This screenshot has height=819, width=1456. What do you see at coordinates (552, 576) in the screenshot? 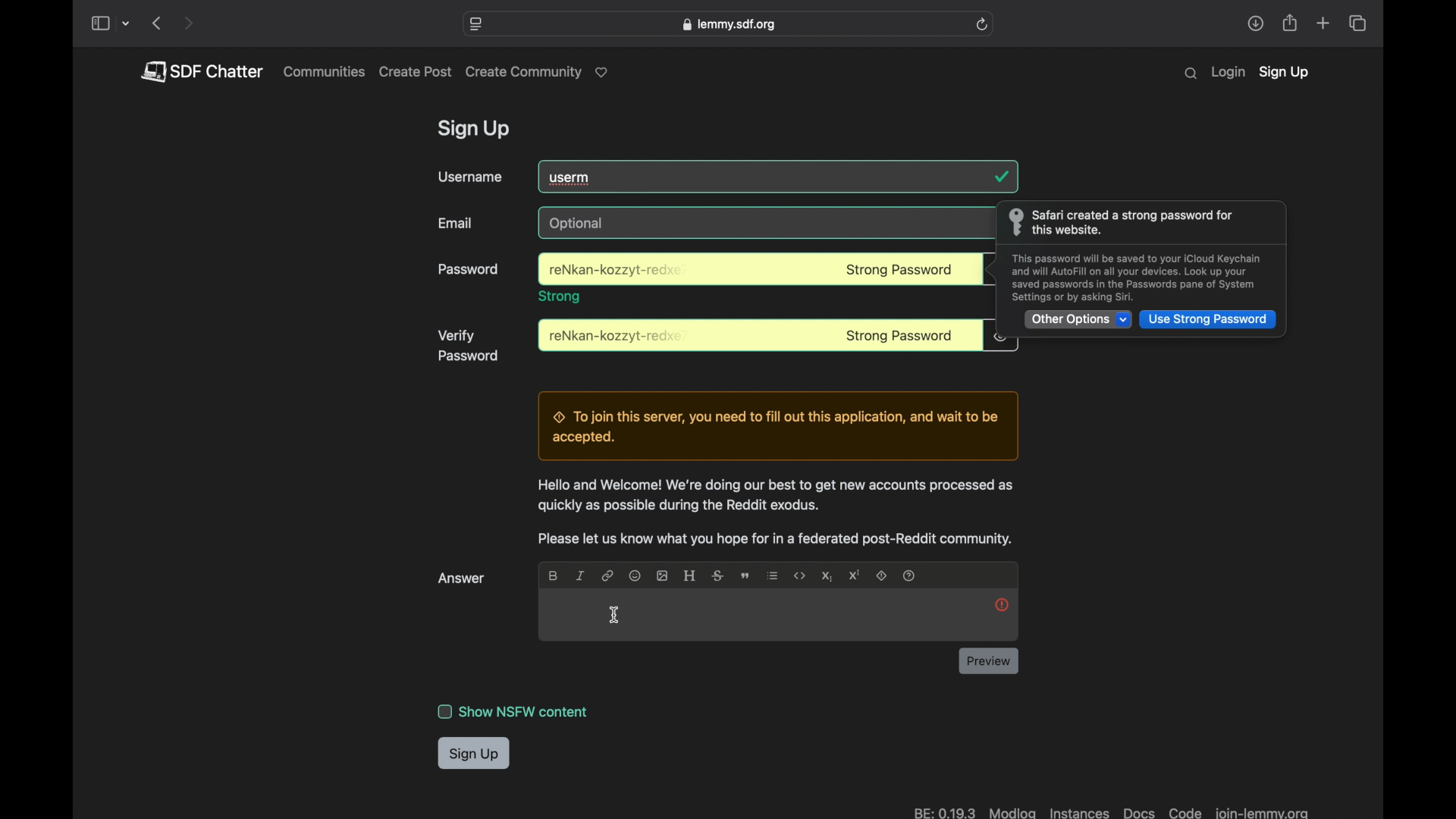
I see `bold` at bounding box center [552, 576].